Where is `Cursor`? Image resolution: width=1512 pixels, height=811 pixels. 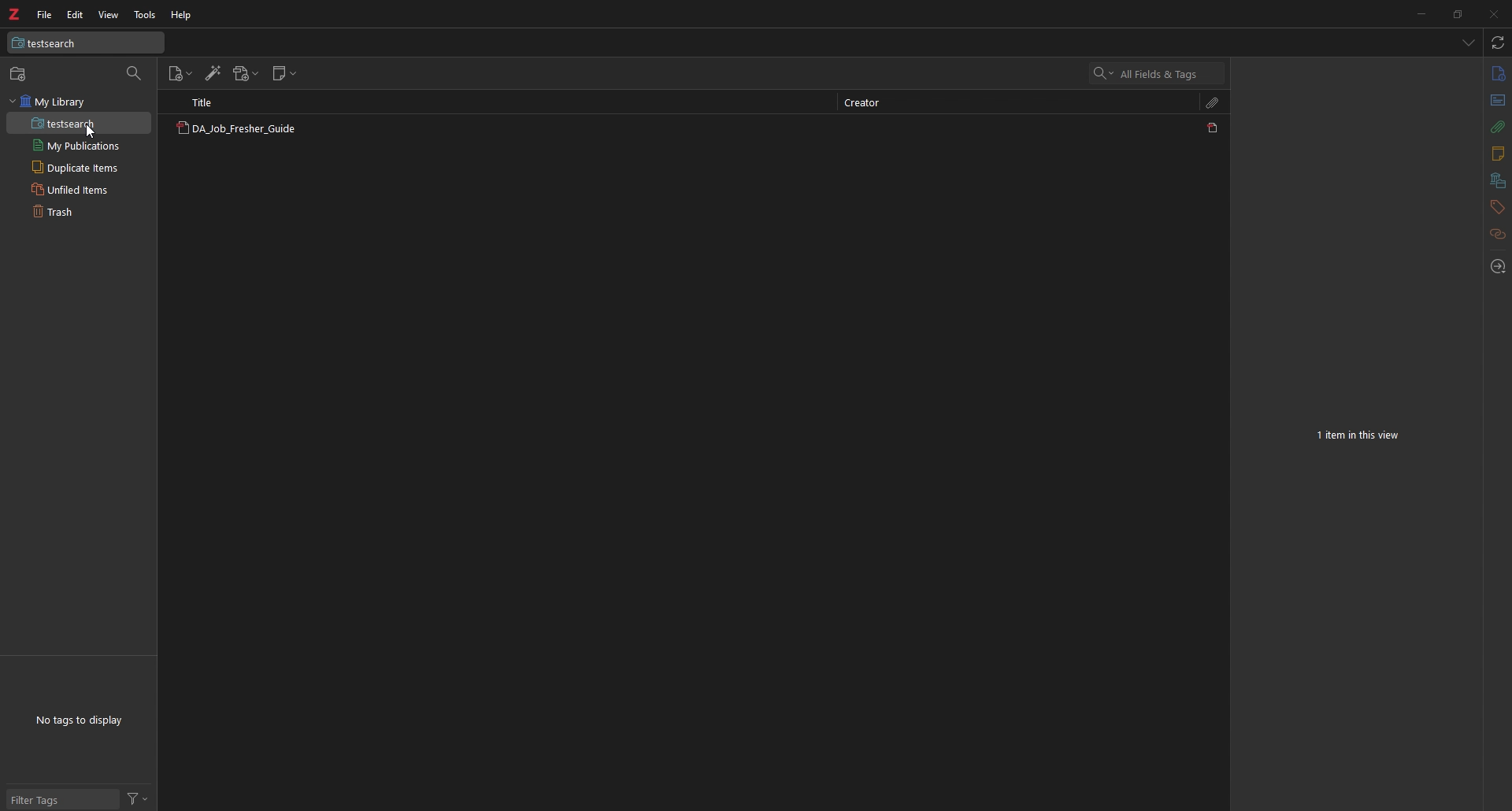
Cursor is located at coordinates (91, 130).